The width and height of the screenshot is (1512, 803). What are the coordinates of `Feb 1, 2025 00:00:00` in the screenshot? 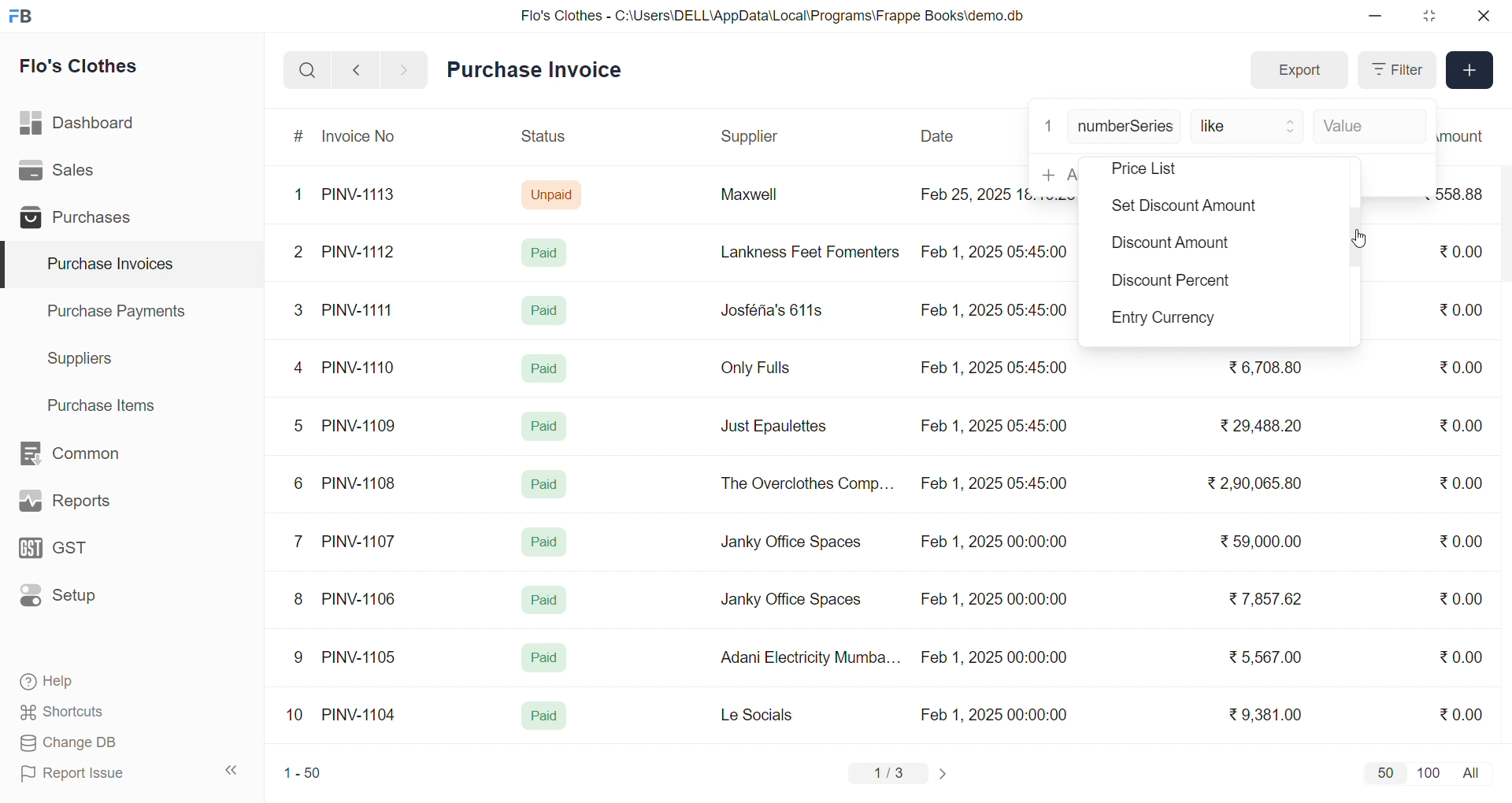 It's located at (991, 597).